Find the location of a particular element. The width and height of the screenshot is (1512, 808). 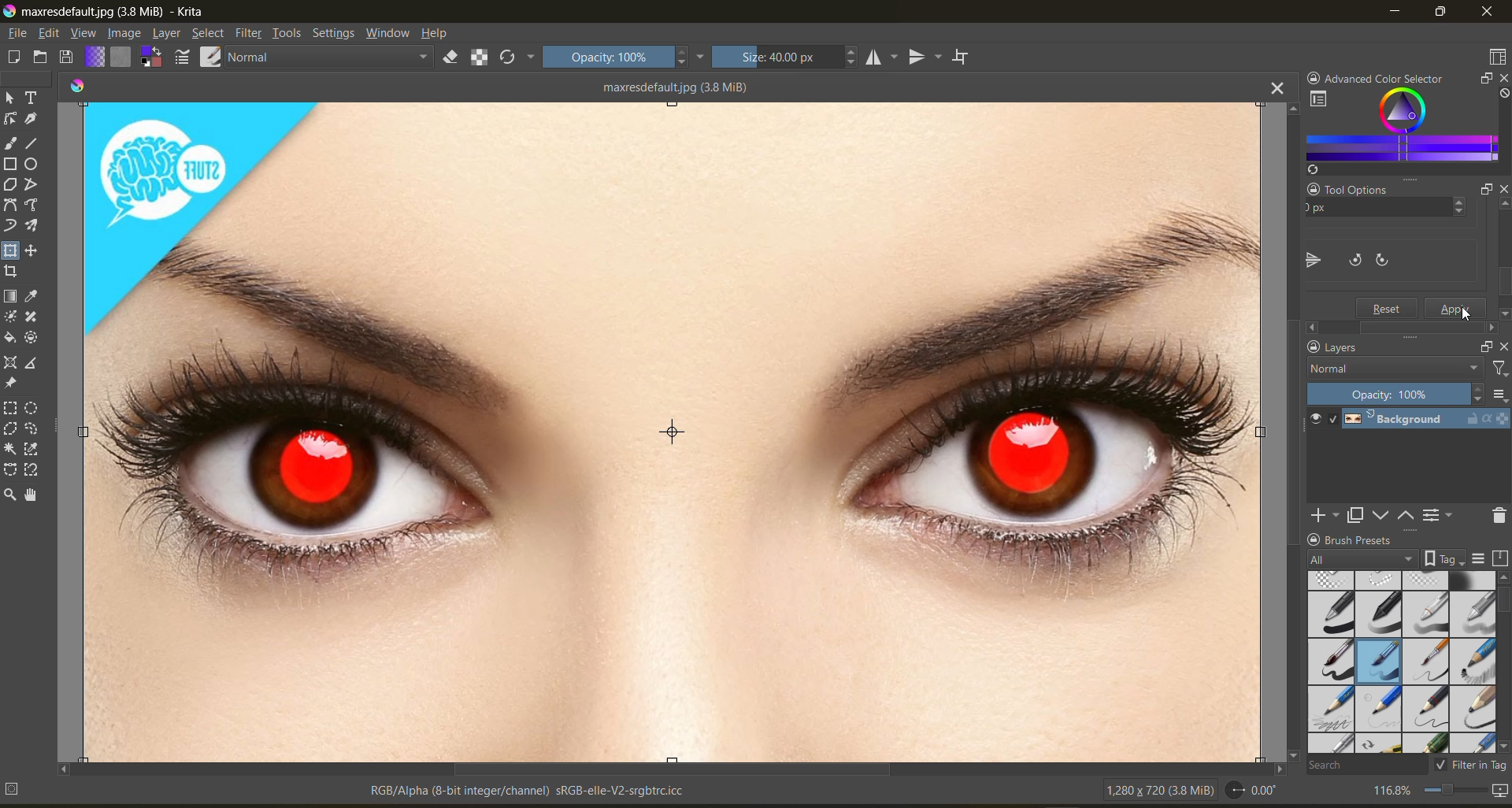

tag is located at coordinates (1361, 558).